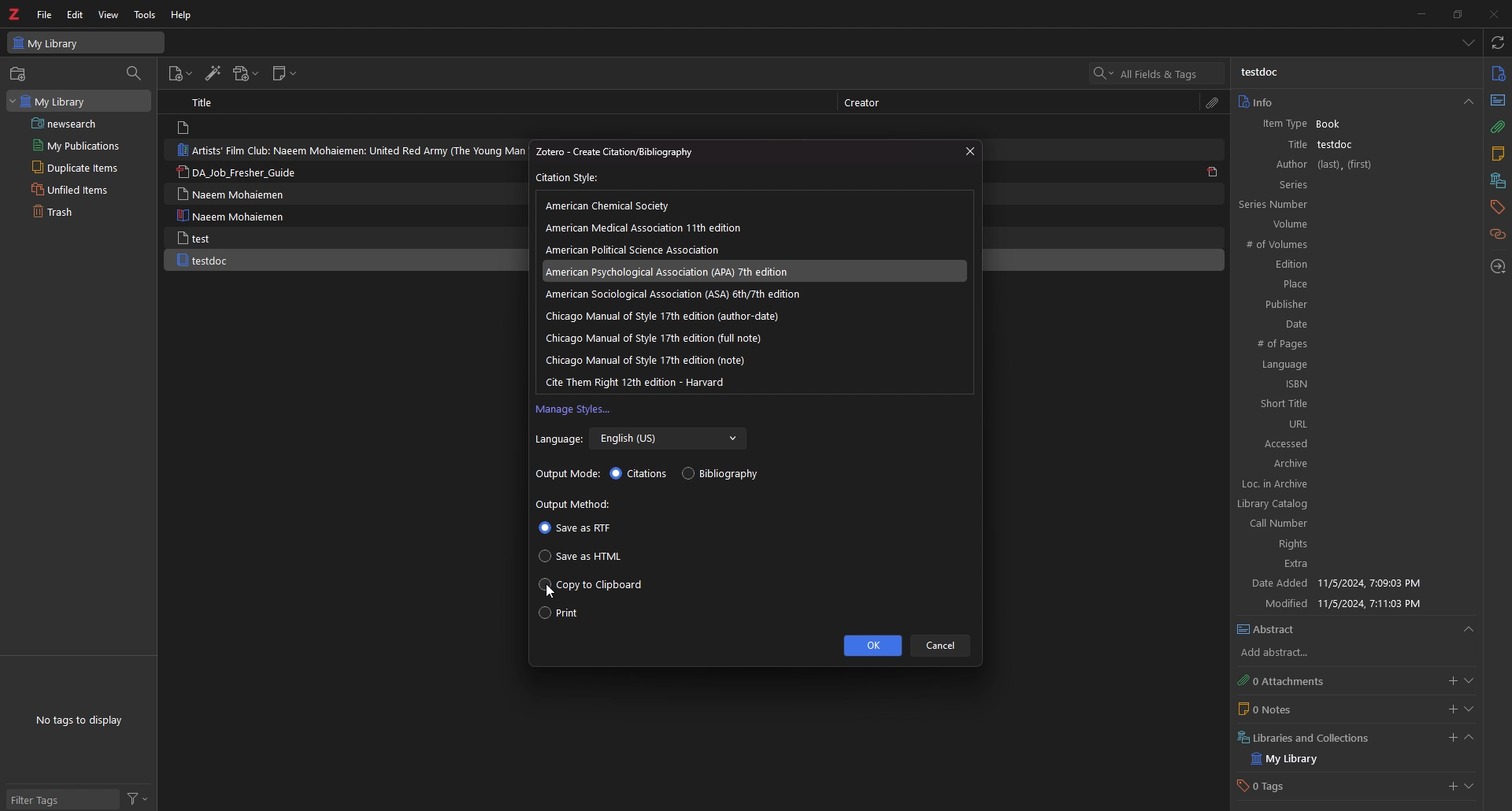 This screenshot has height=811, width=1512. Describe the element at coordinates (1347, 283) in the screenshot. I see `Place` at that location.